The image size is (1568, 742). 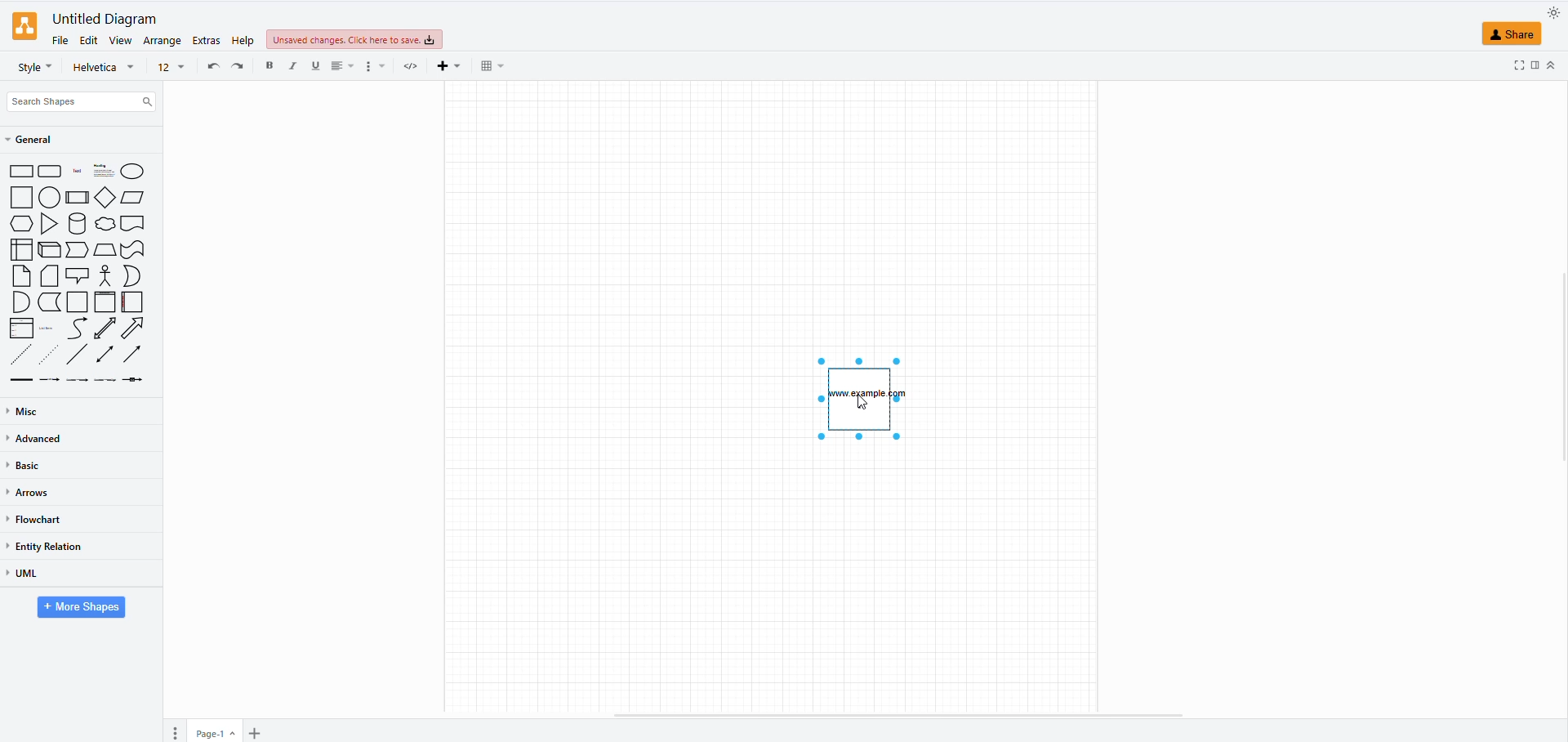 I want to click on callout, so click(x=78, y=275).